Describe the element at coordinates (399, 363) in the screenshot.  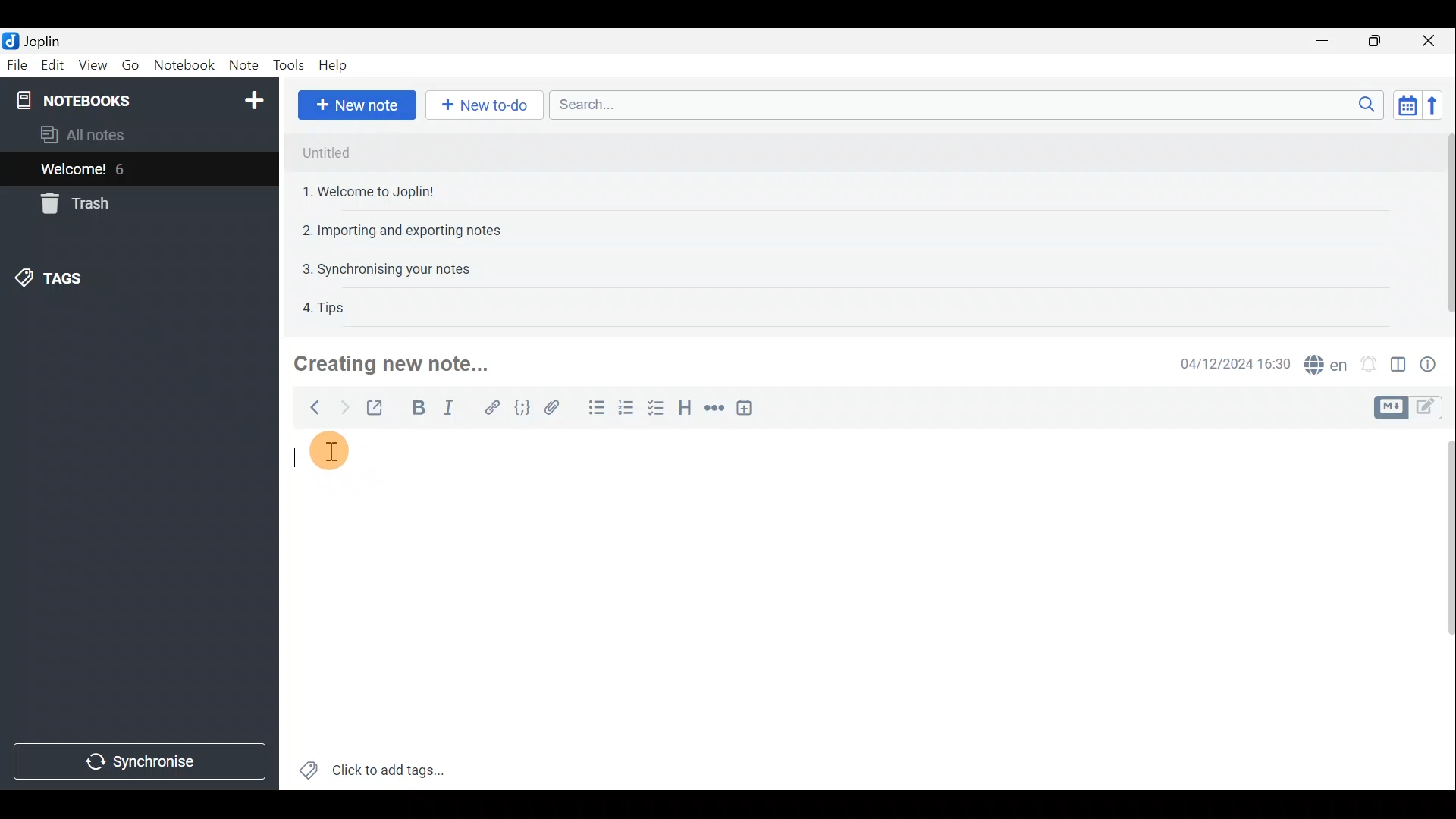
I see `Creating new note...` at that location.